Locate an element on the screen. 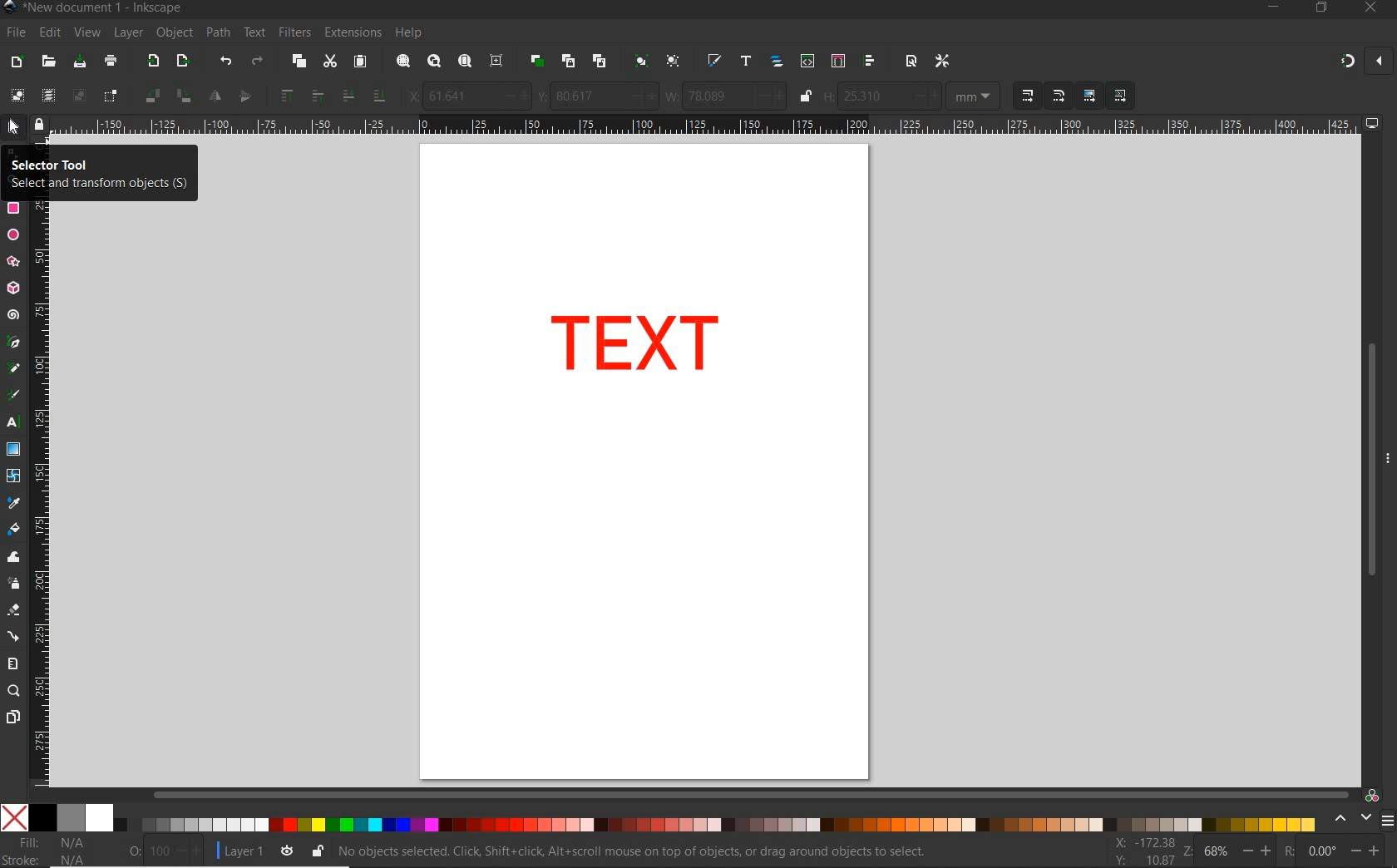  create clone is located at coordinates (567, 62).